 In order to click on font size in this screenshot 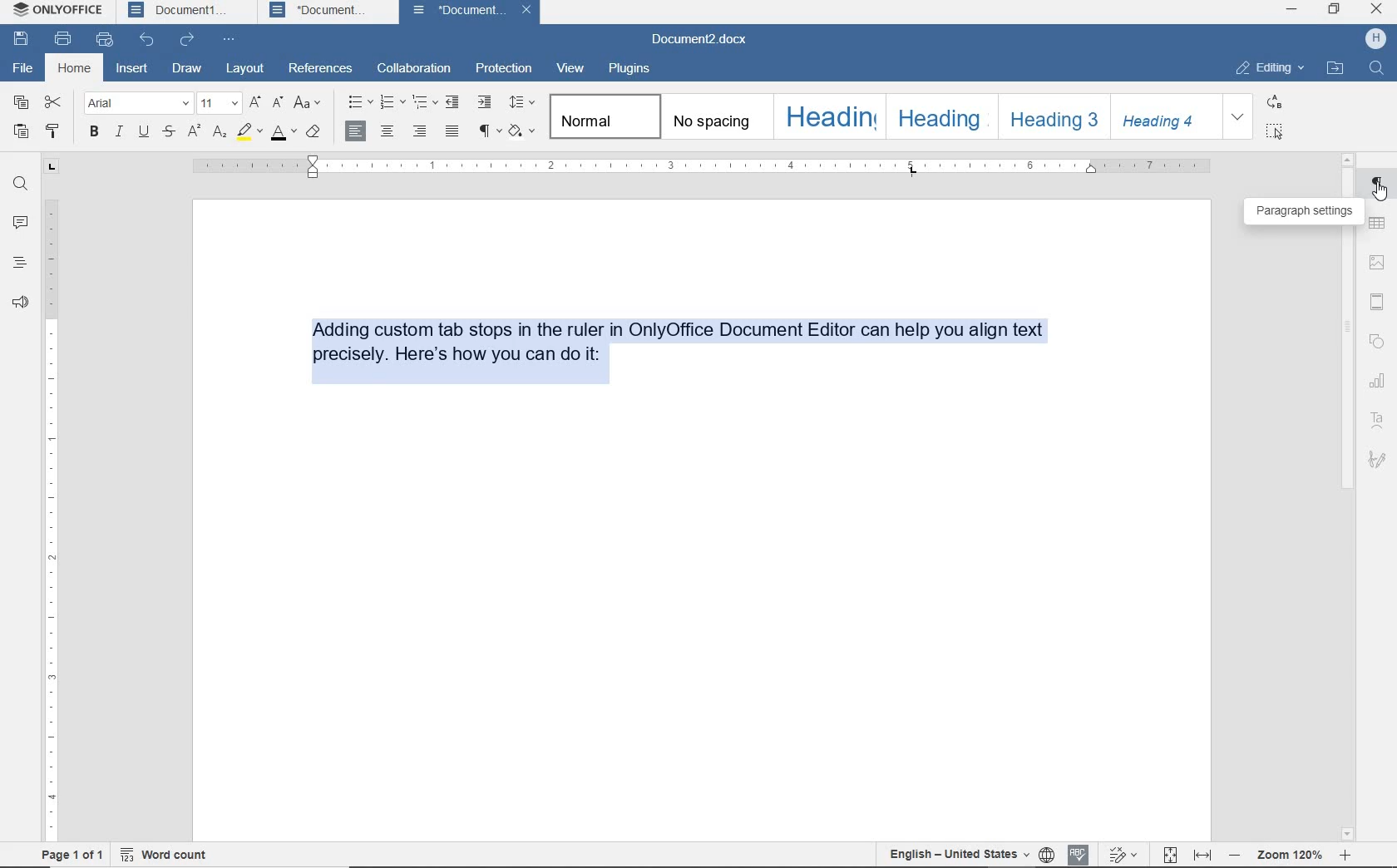, I will do `click(220, 104)`.